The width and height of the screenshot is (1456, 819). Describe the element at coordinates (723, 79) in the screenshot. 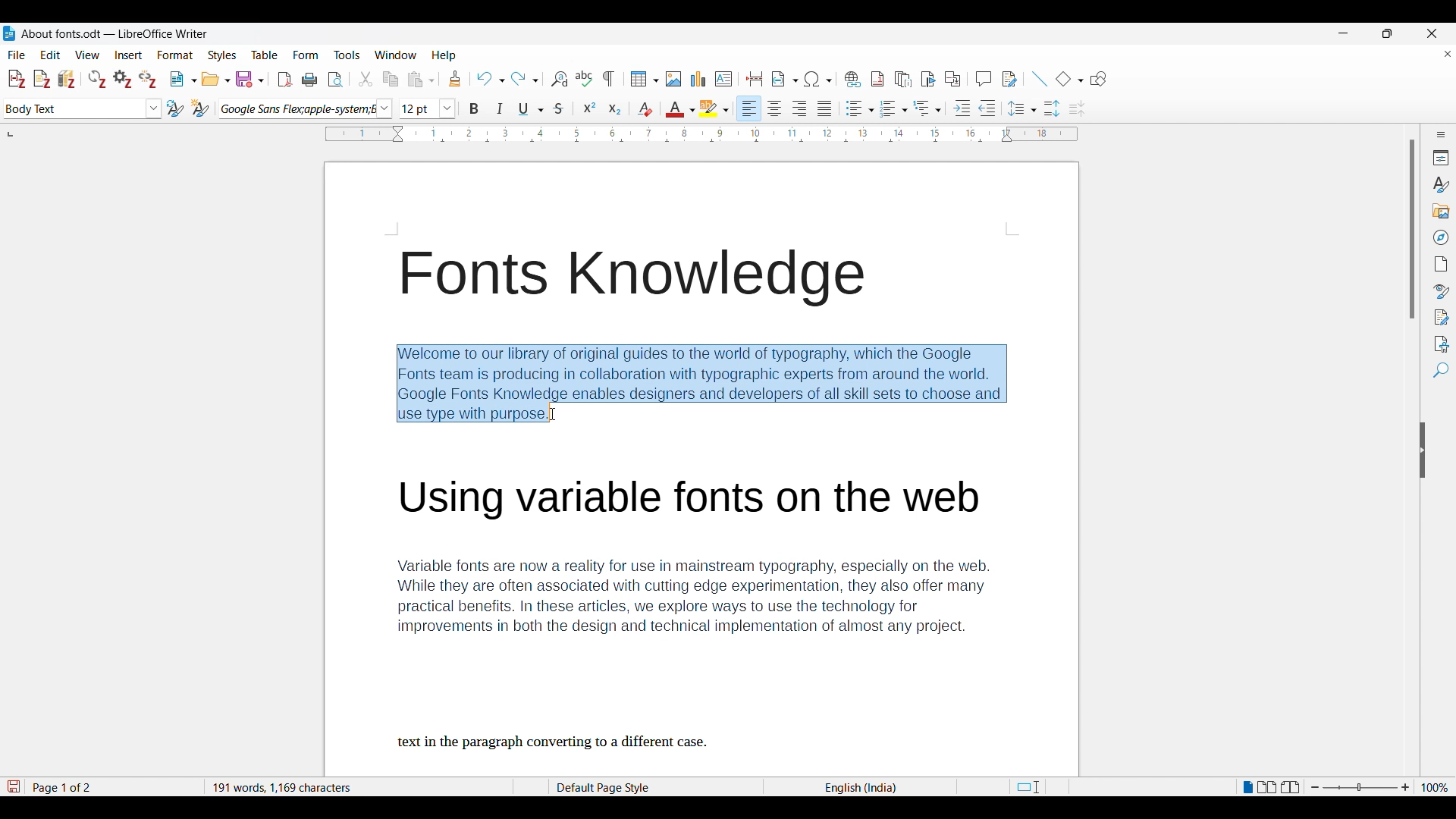

I see `Insert text box` at that location.